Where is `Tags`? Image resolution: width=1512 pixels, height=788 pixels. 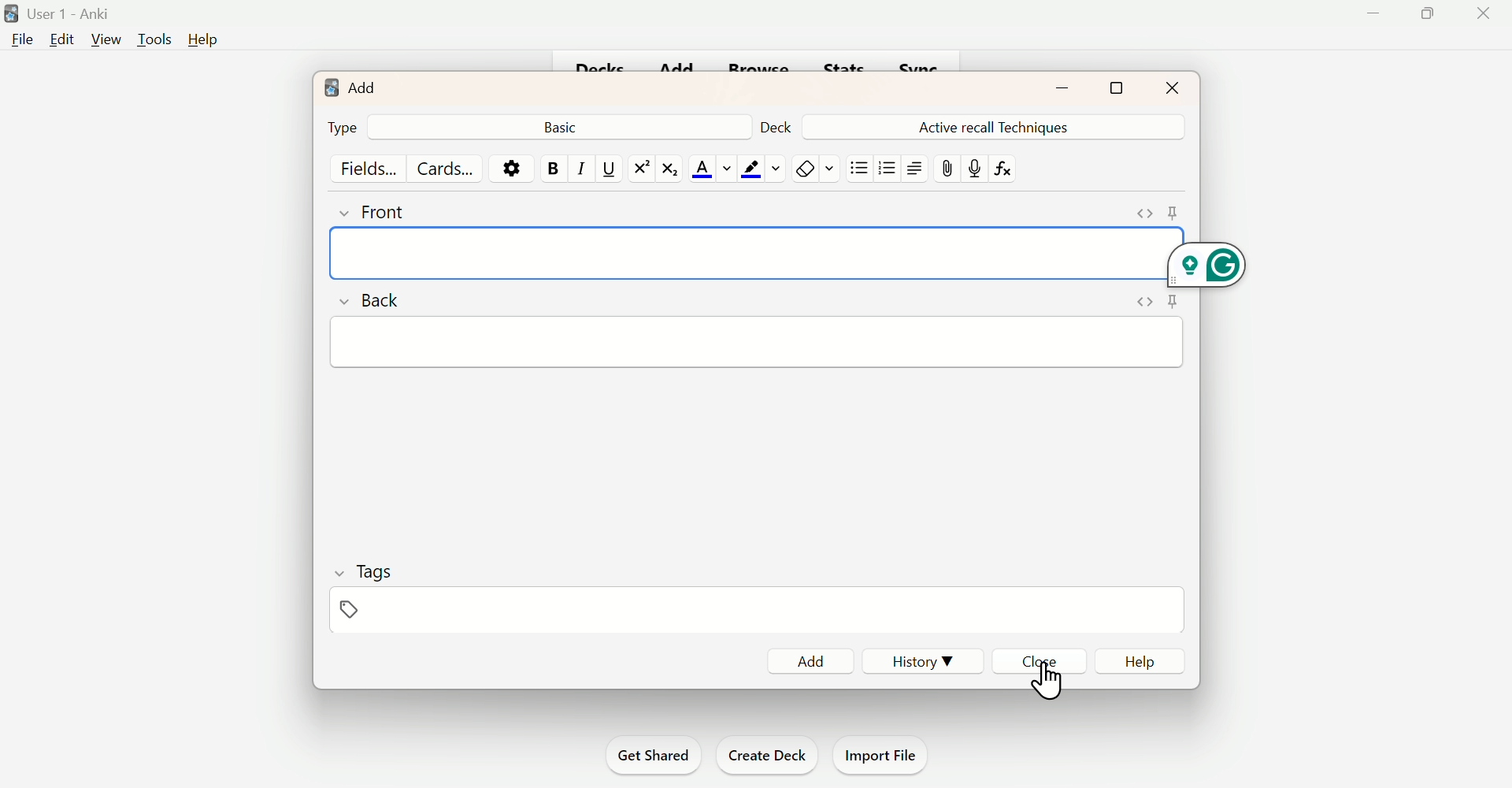
Tags is located at coordinates (369, 592).